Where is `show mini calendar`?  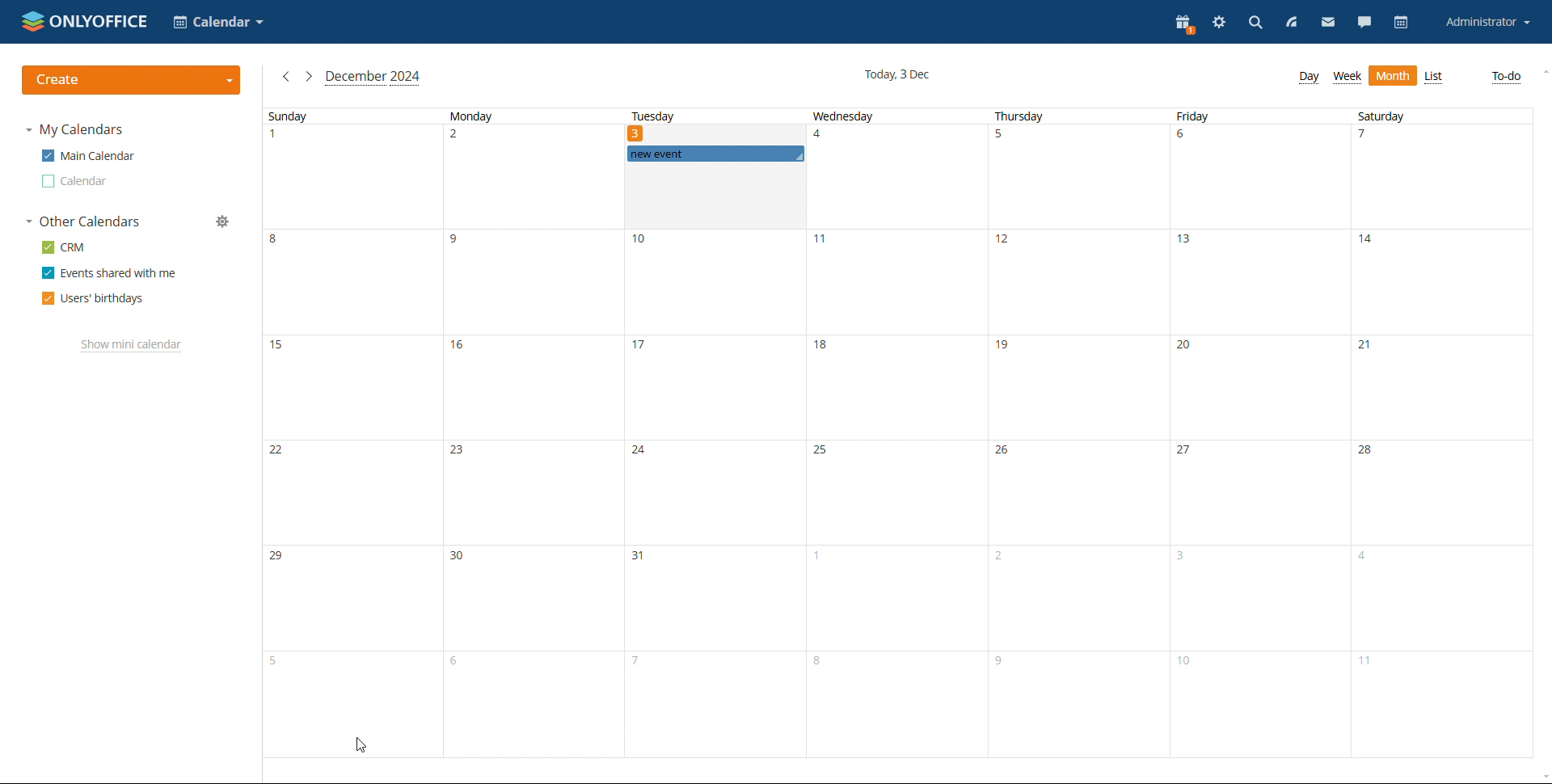 show mini calendar is located at coordinates (132, 346).